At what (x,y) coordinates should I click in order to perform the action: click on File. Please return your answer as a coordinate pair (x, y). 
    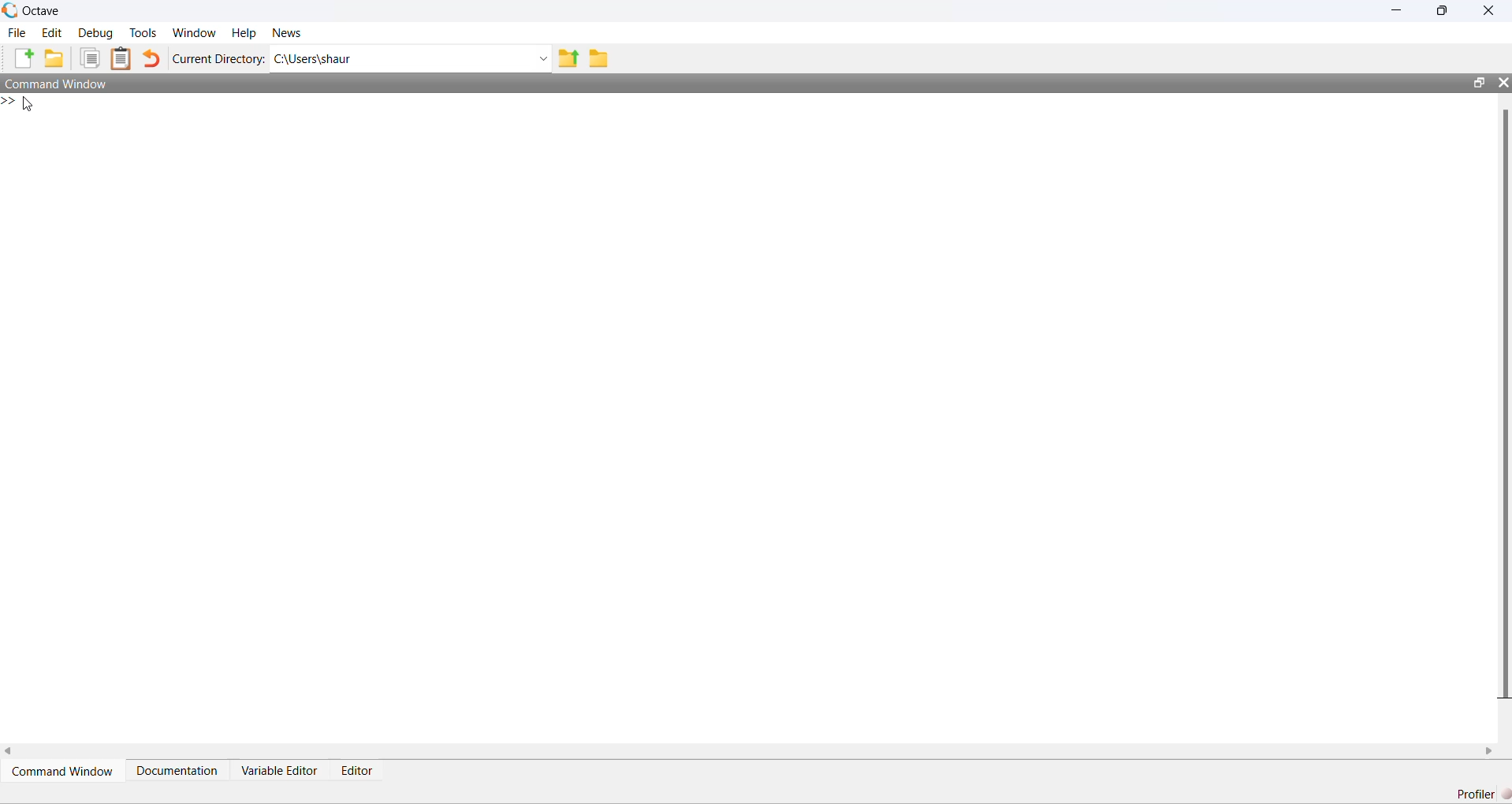
    Looking at the image, I should click on (17, 32).